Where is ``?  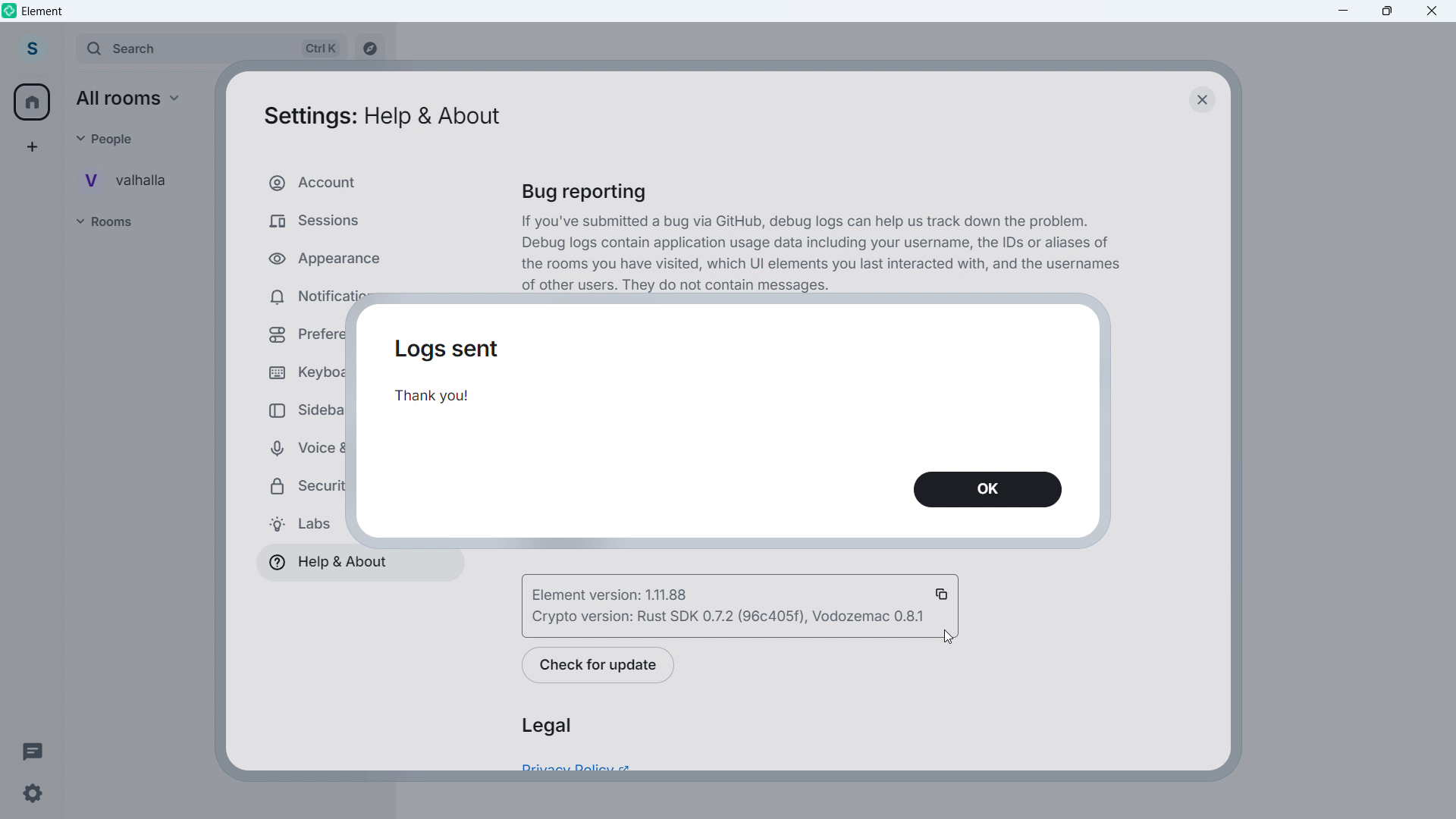
 is located at coordinates (111, 138).